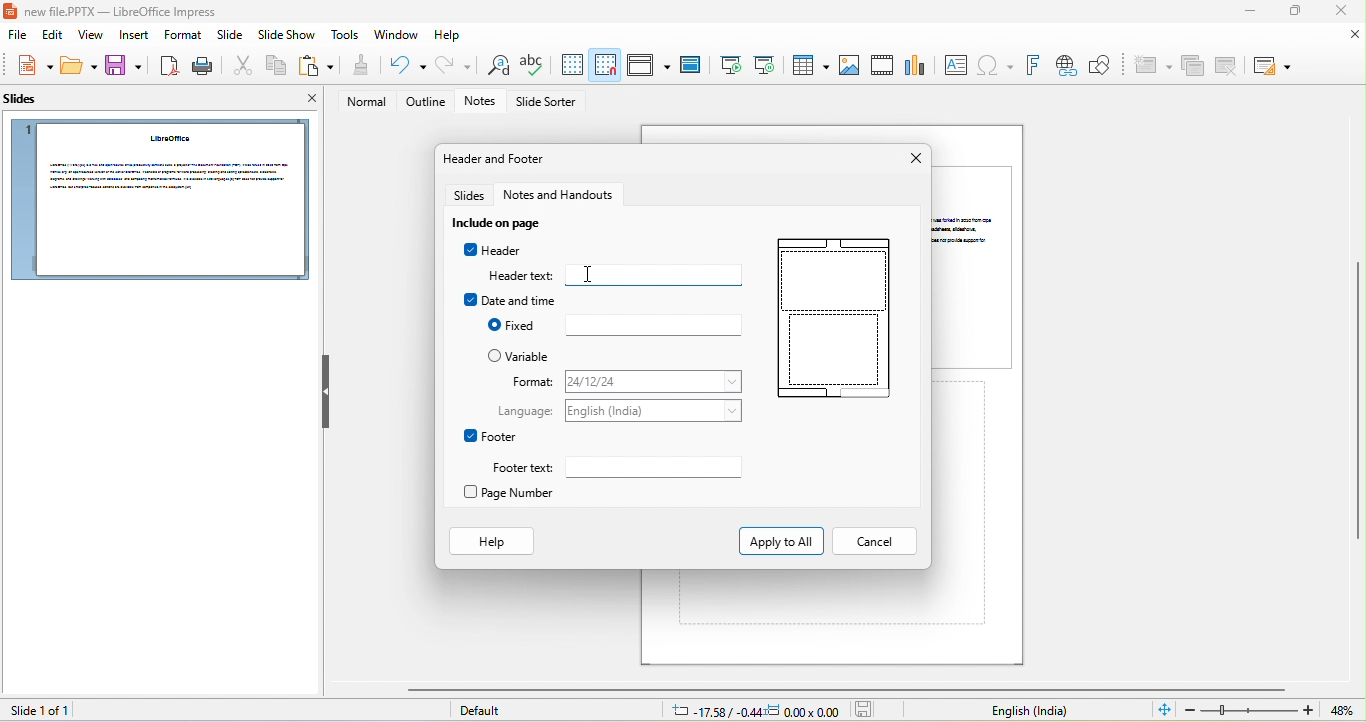 The image size is (1366, 722). What do you see at coordinates (449, 36) in the screenshot?
I see `help` at bounding box center [449, 36].